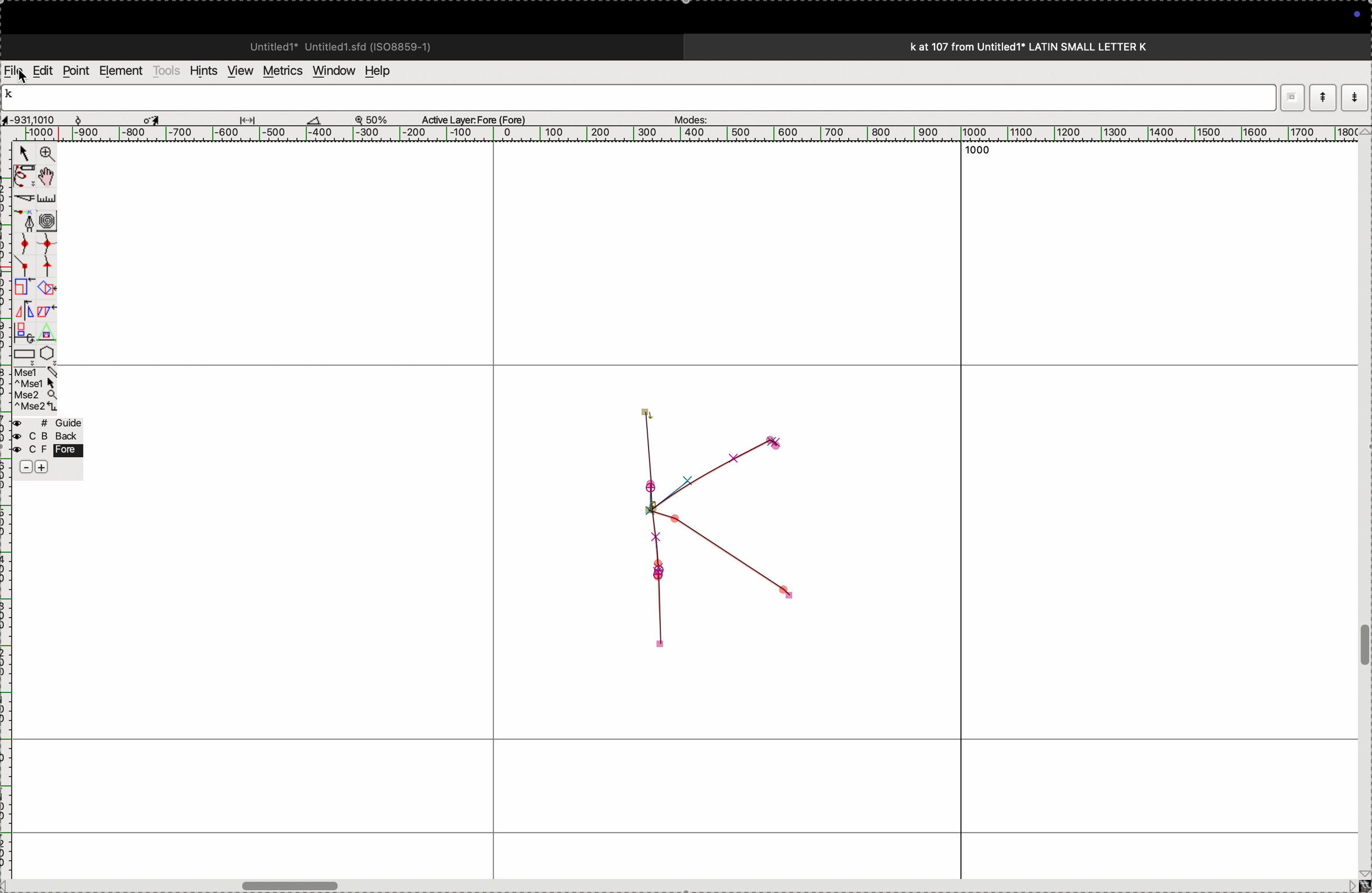 The image size is (1372, 893). What do you see at coordinates (281, 71) in the screenshot?
I see `metrics` at bounding box center [281, 71].